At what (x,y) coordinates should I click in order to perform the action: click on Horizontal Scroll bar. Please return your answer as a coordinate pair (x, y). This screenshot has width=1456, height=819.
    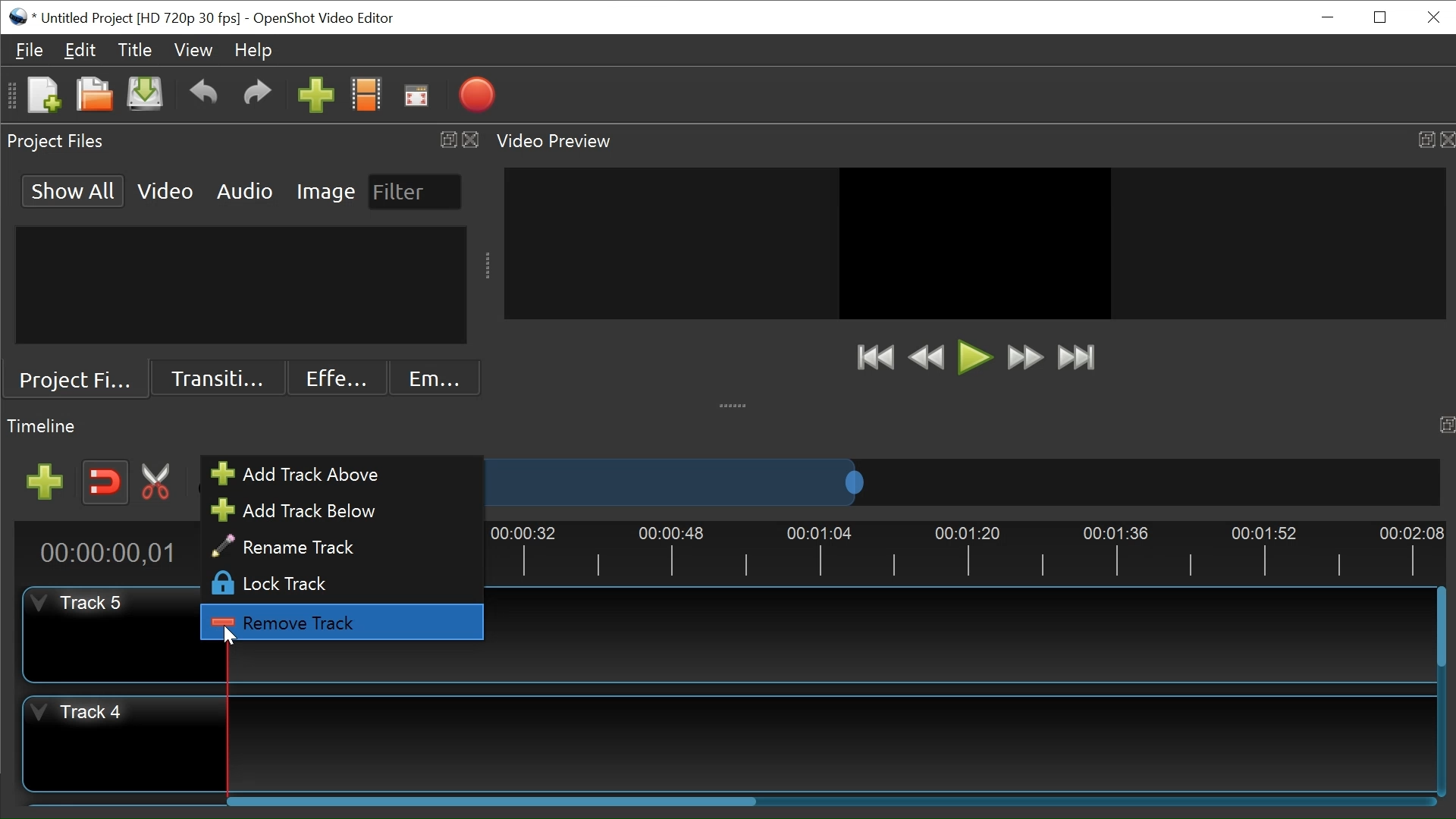
    Looking at the image, I should click on (493, 800).